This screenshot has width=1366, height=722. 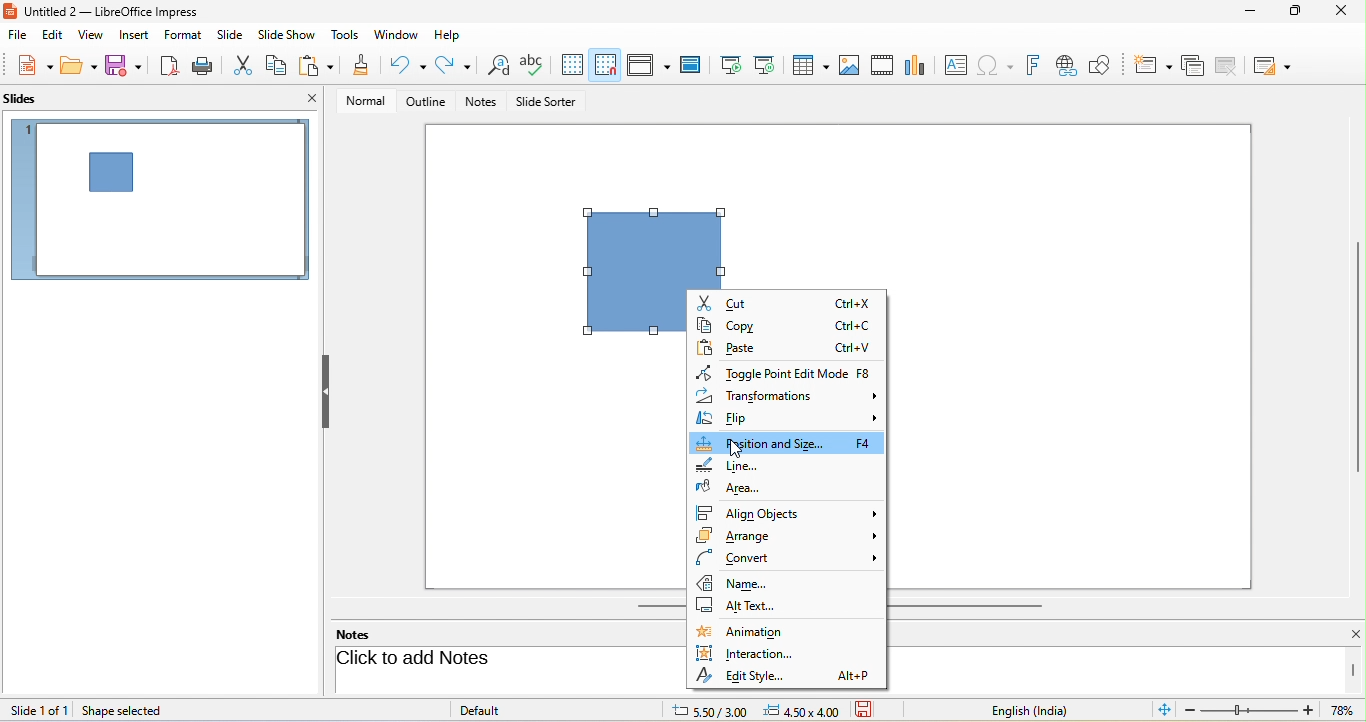 I want to click on slide 1 of 1, so click(x=39, y=710).